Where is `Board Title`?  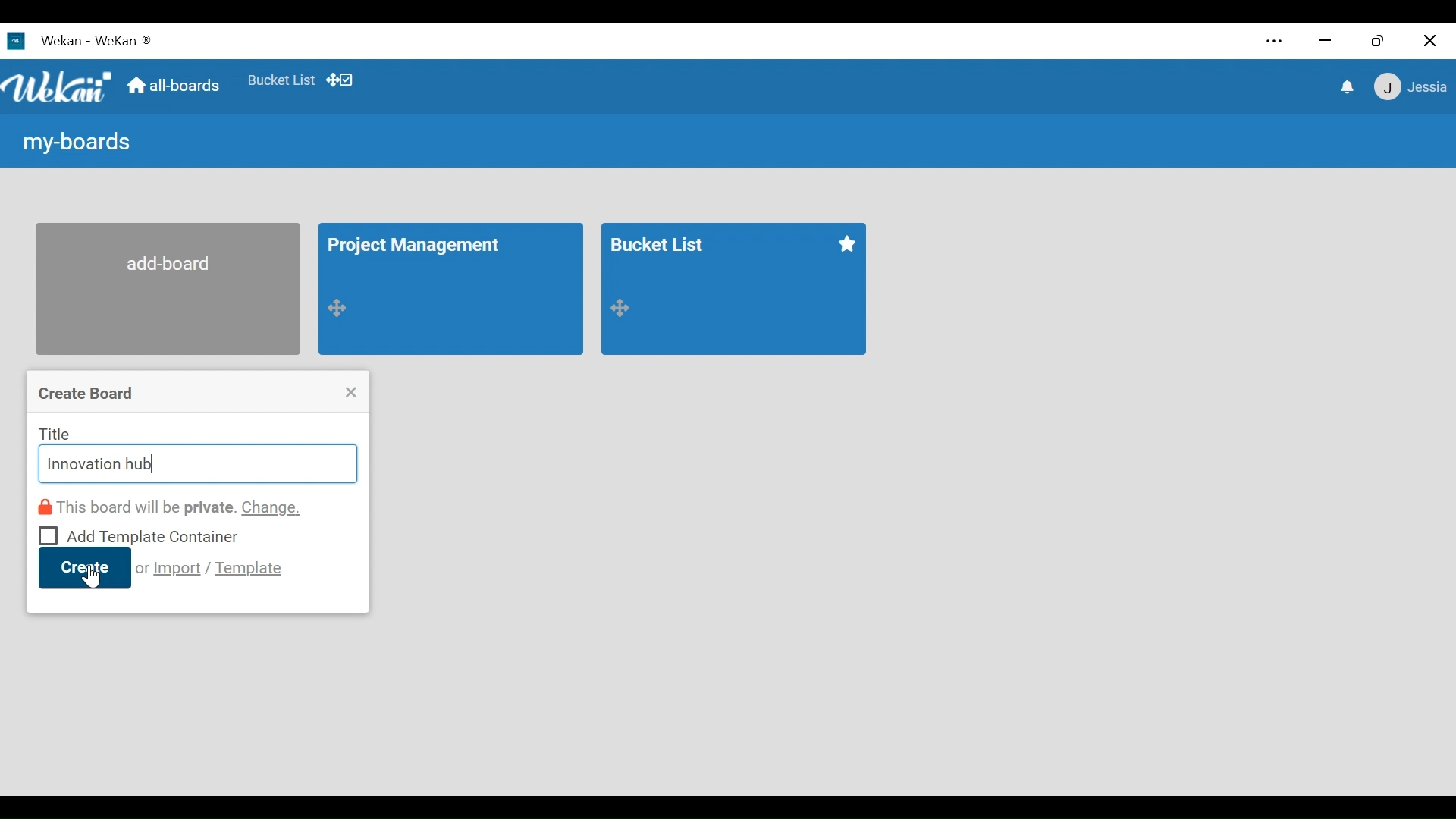
Board Title is located at coordinates (661, 243).